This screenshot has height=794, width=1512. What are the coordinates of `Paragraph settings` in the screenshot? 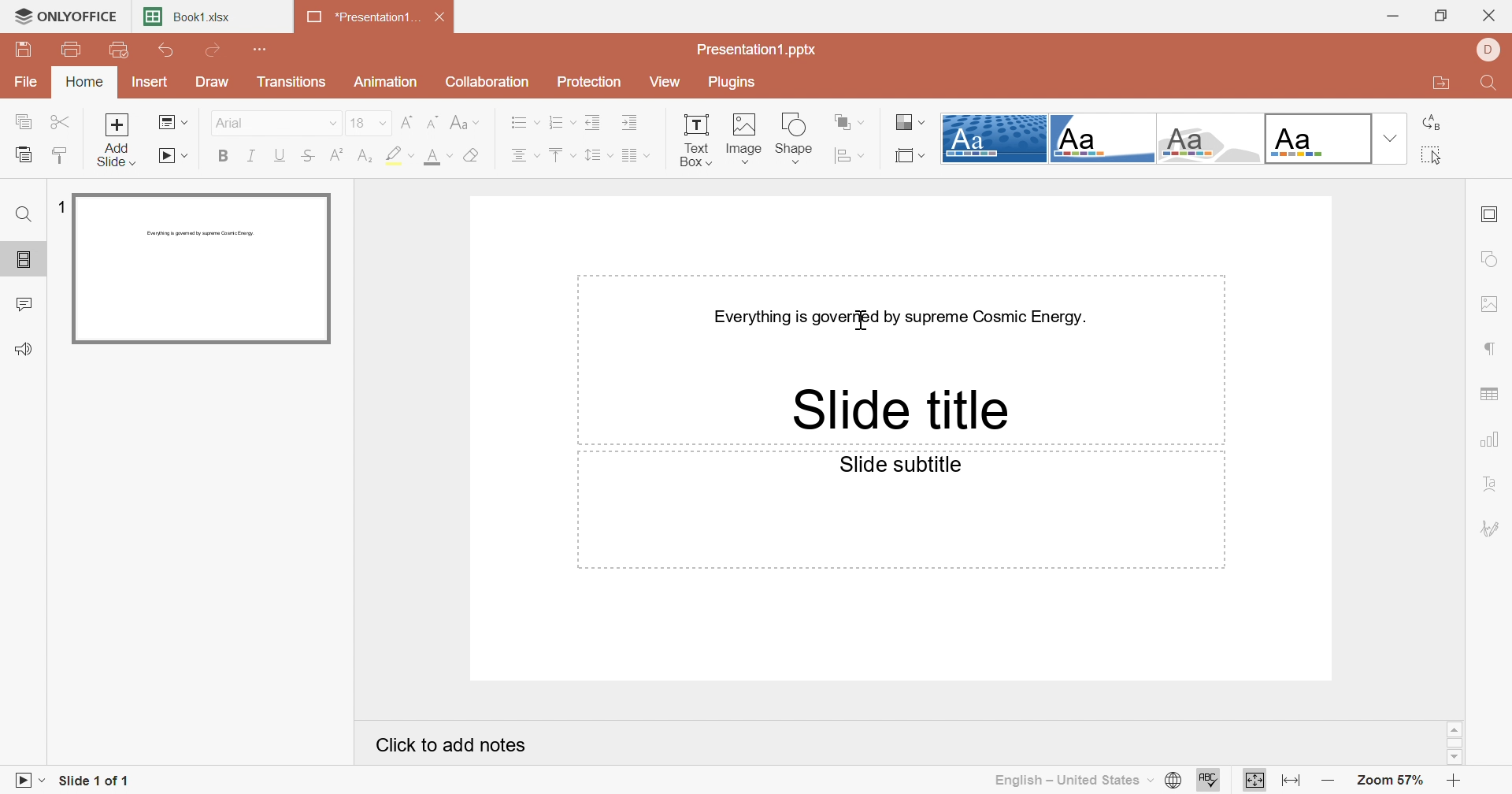 It's located at (1496, 346).